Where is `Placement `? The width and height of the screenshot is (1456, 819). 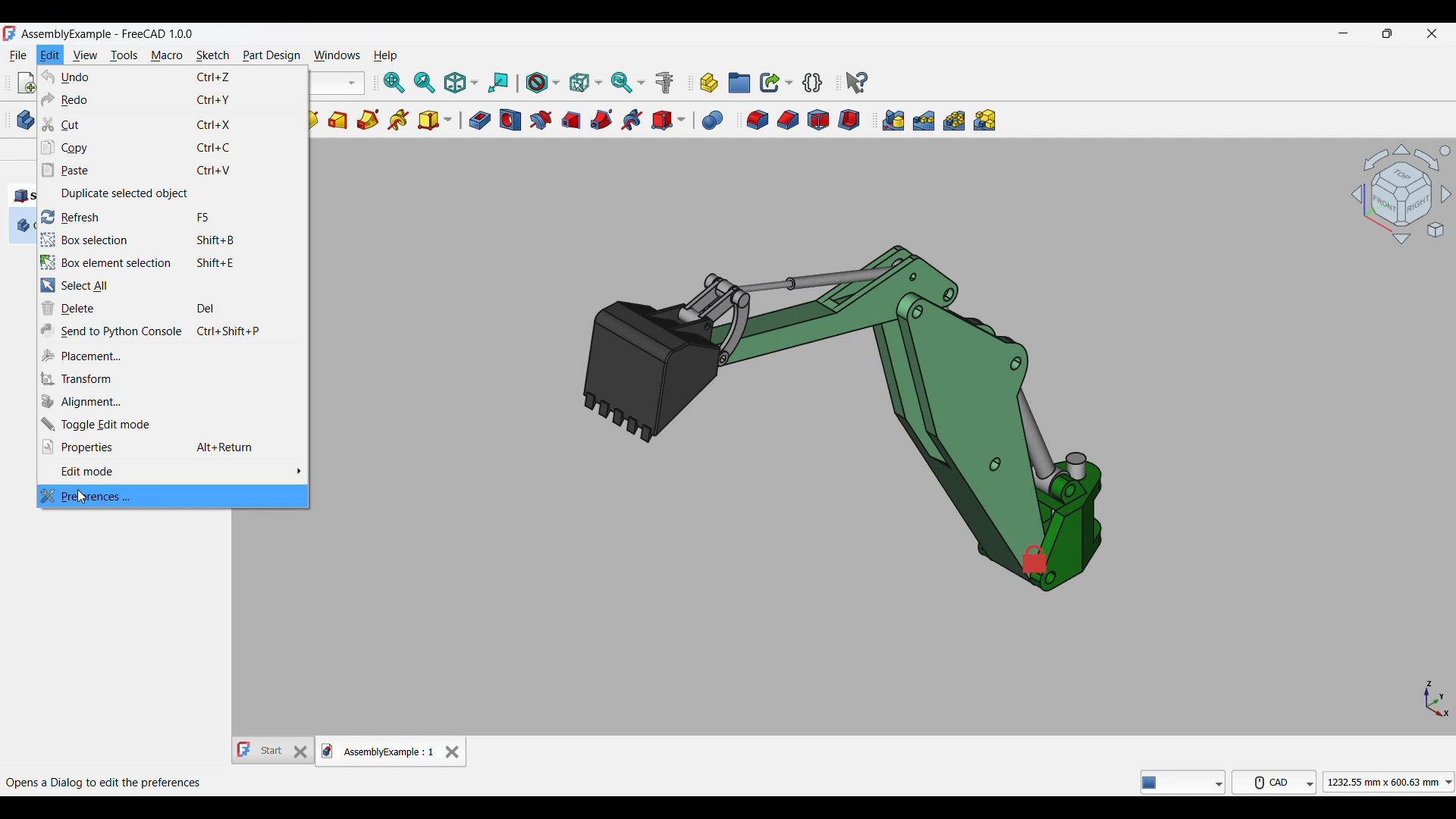 Placement  is located at coordinates (173, 356).